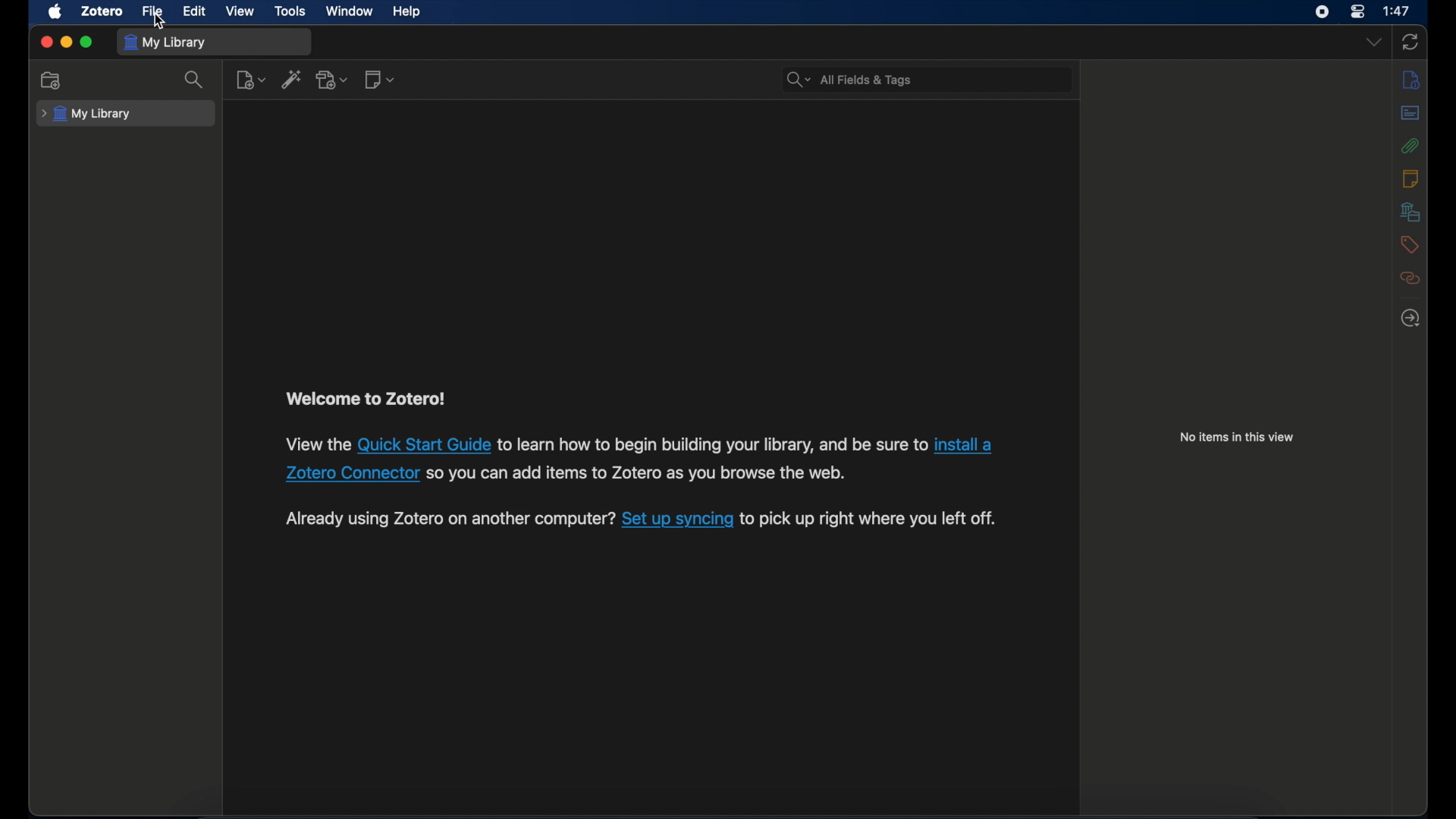  What do you see at coordinates (1410, 244) in the screenshot?
I see `tags` at bounding box center [1410, 244].